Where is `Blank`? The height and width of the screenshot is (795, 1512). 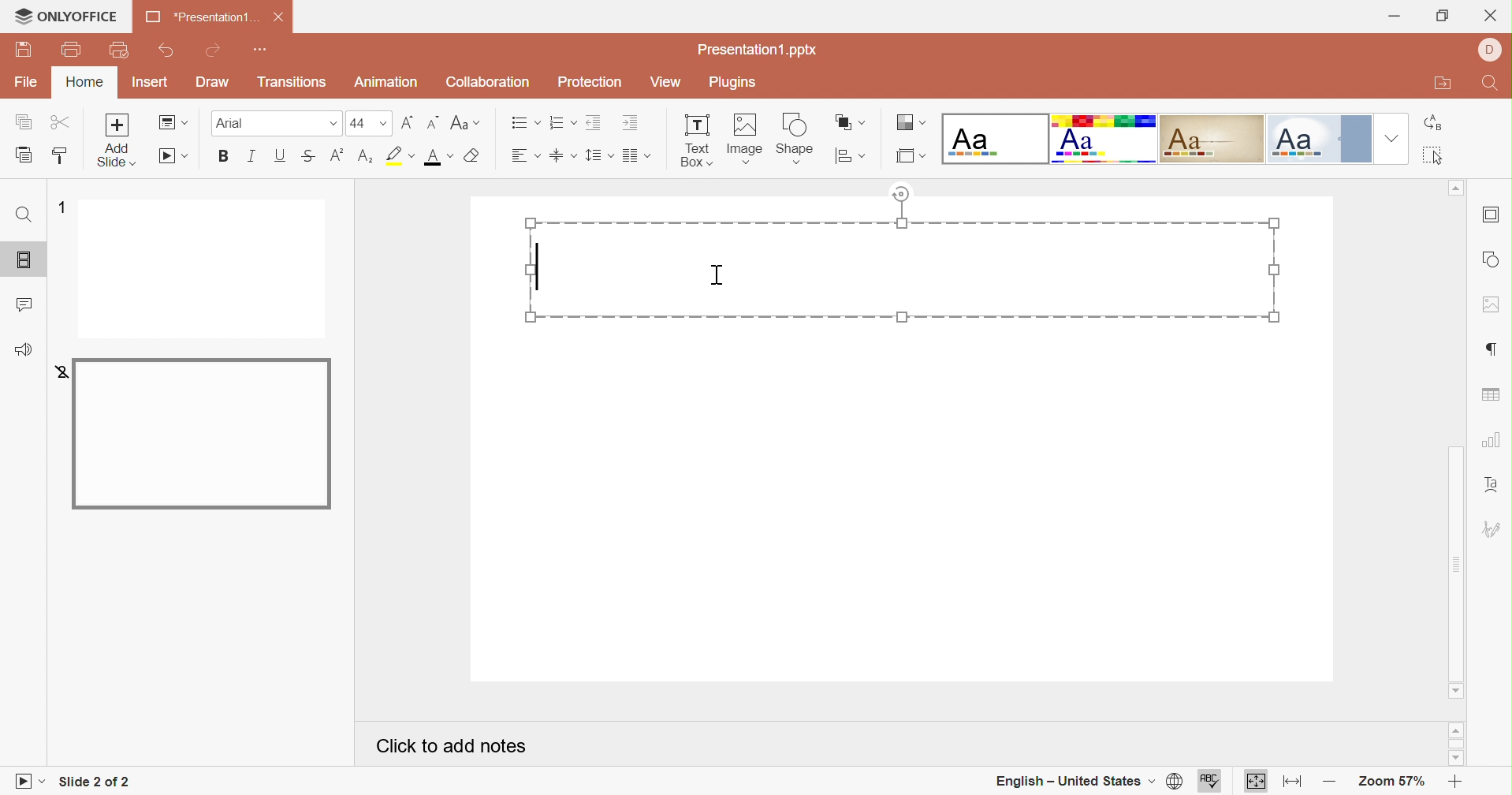
Blank is located at coordinates (994, 138).